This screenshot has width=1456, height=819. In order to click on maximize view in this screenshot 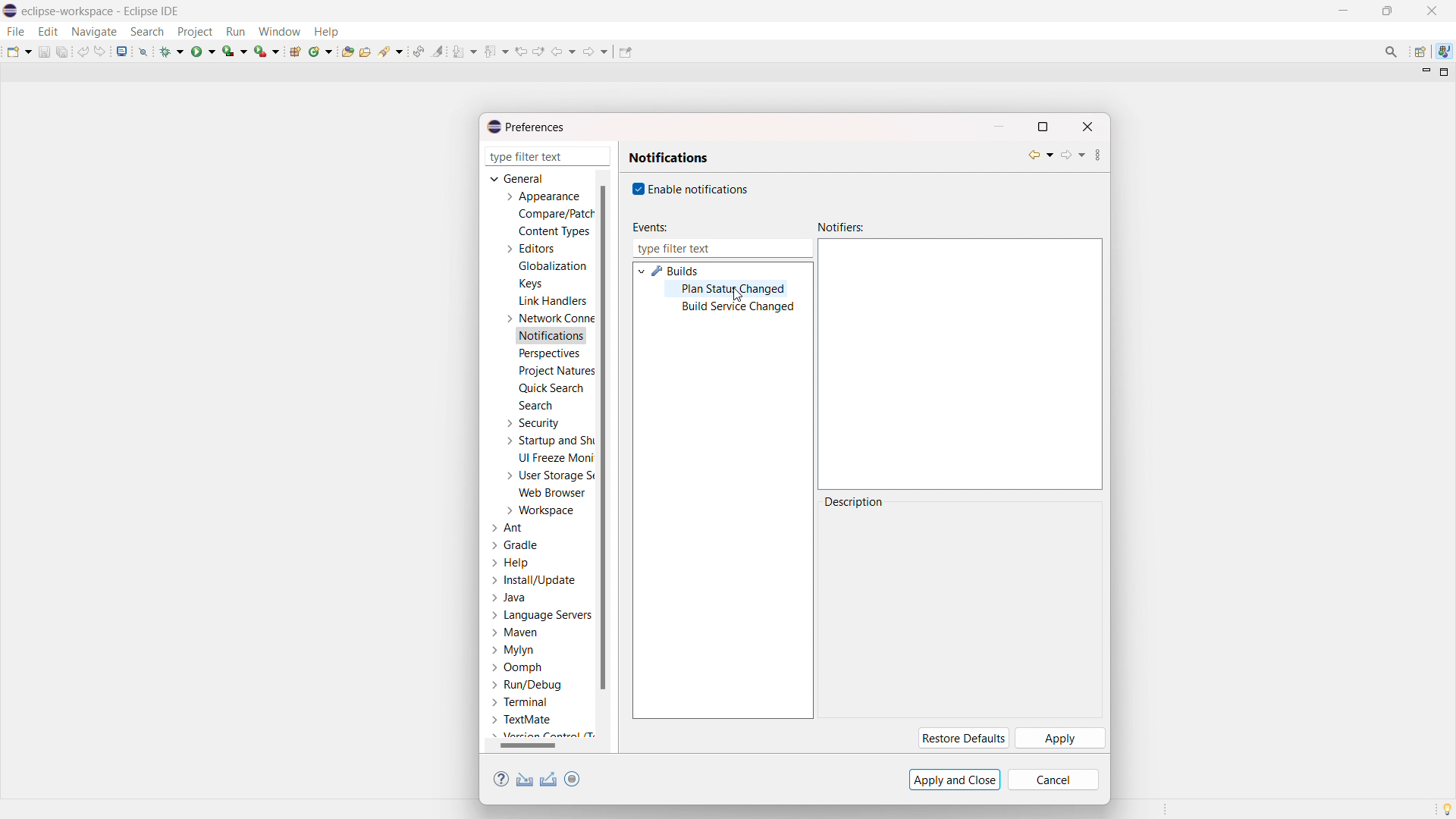, I will do `click(1445, 72)`.